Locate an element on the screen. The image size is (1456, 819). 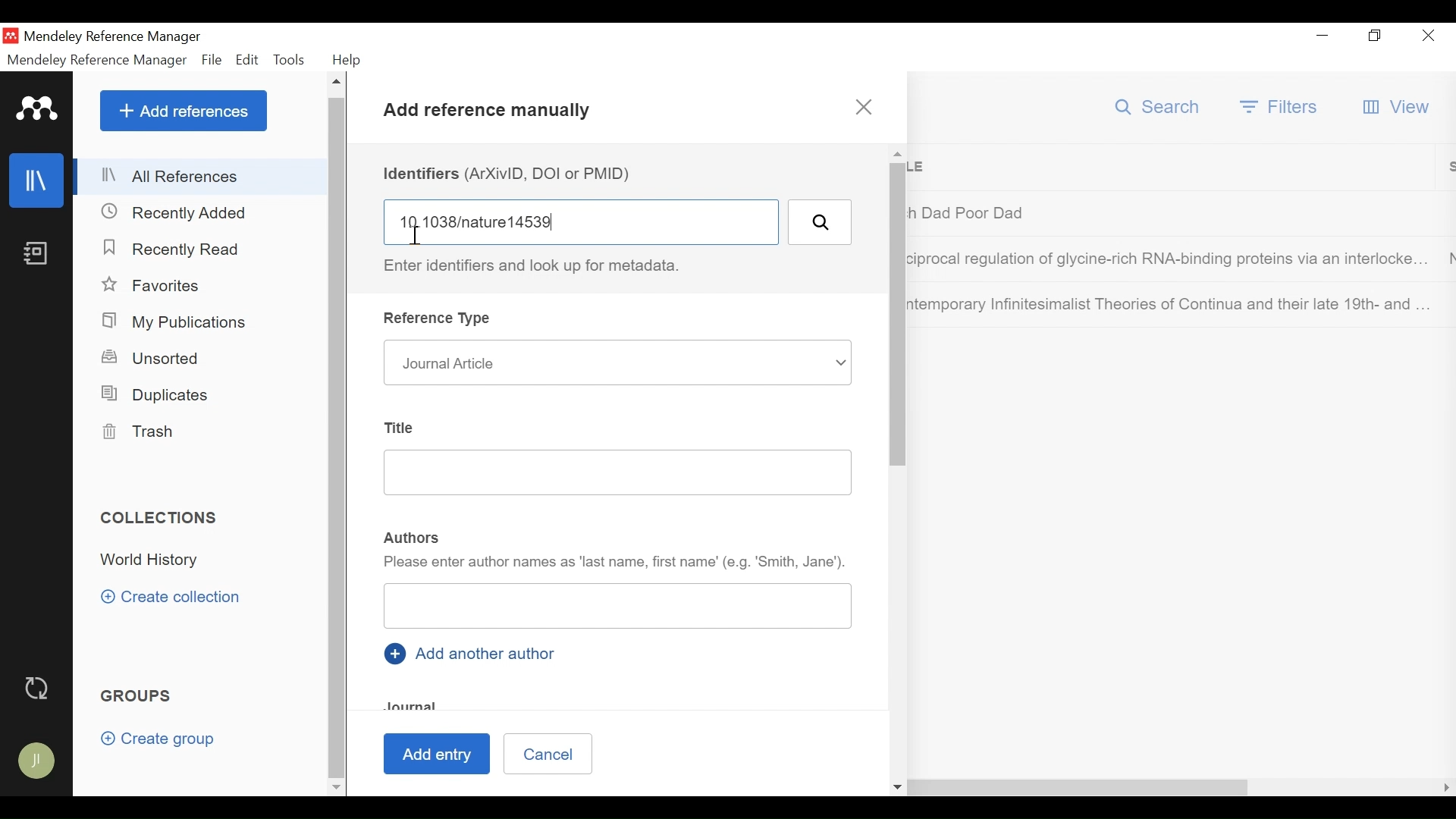
Title is located at coordinates (400, 425).